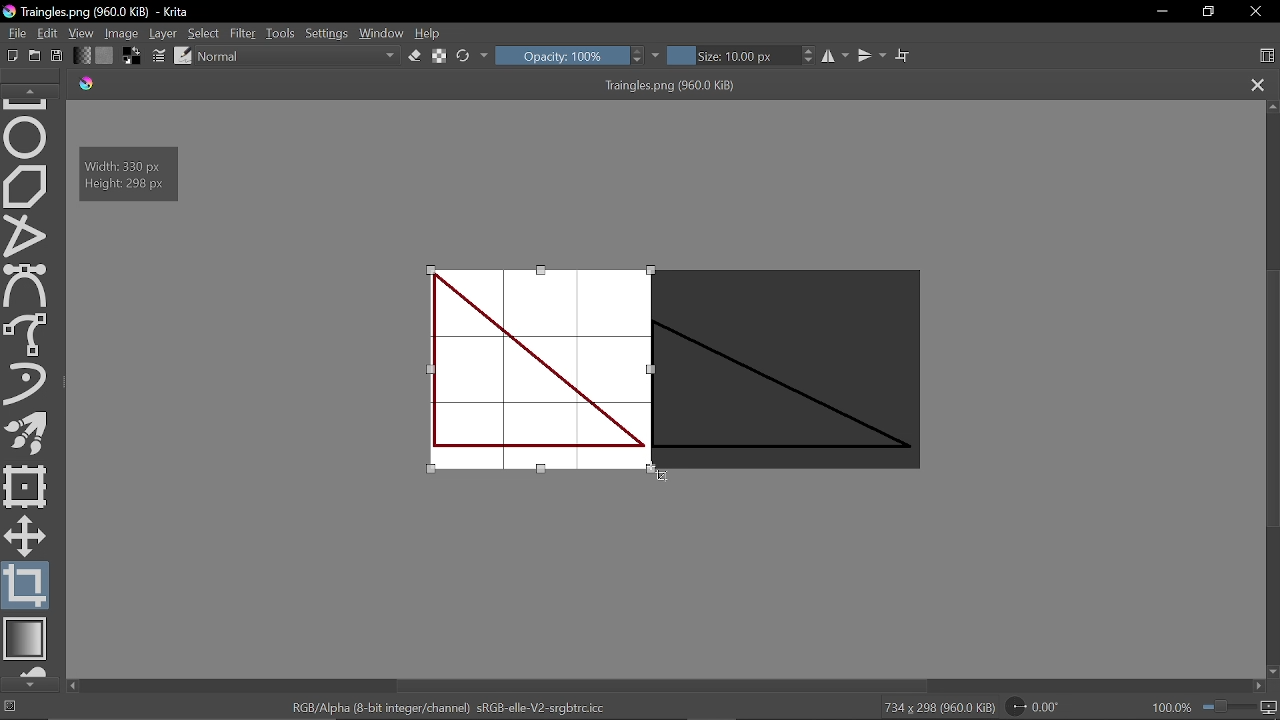  What do you see at coordinates (539, 371) in the screenshot?
I see `Cropped image` at bounding box center [539, 371].